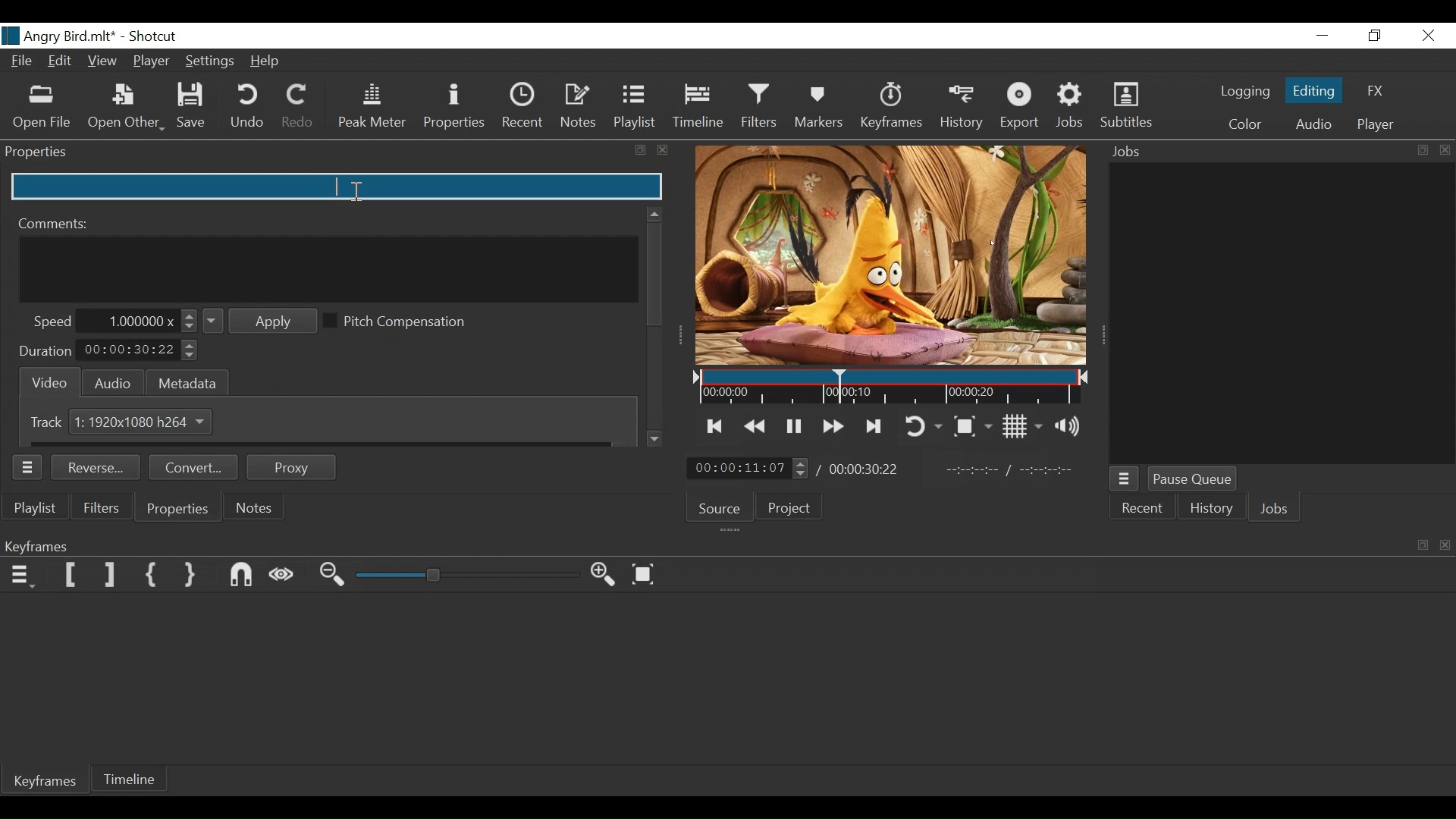 The image size is (1456, 819). I want to click on Set Filter First, so click(70, 576).